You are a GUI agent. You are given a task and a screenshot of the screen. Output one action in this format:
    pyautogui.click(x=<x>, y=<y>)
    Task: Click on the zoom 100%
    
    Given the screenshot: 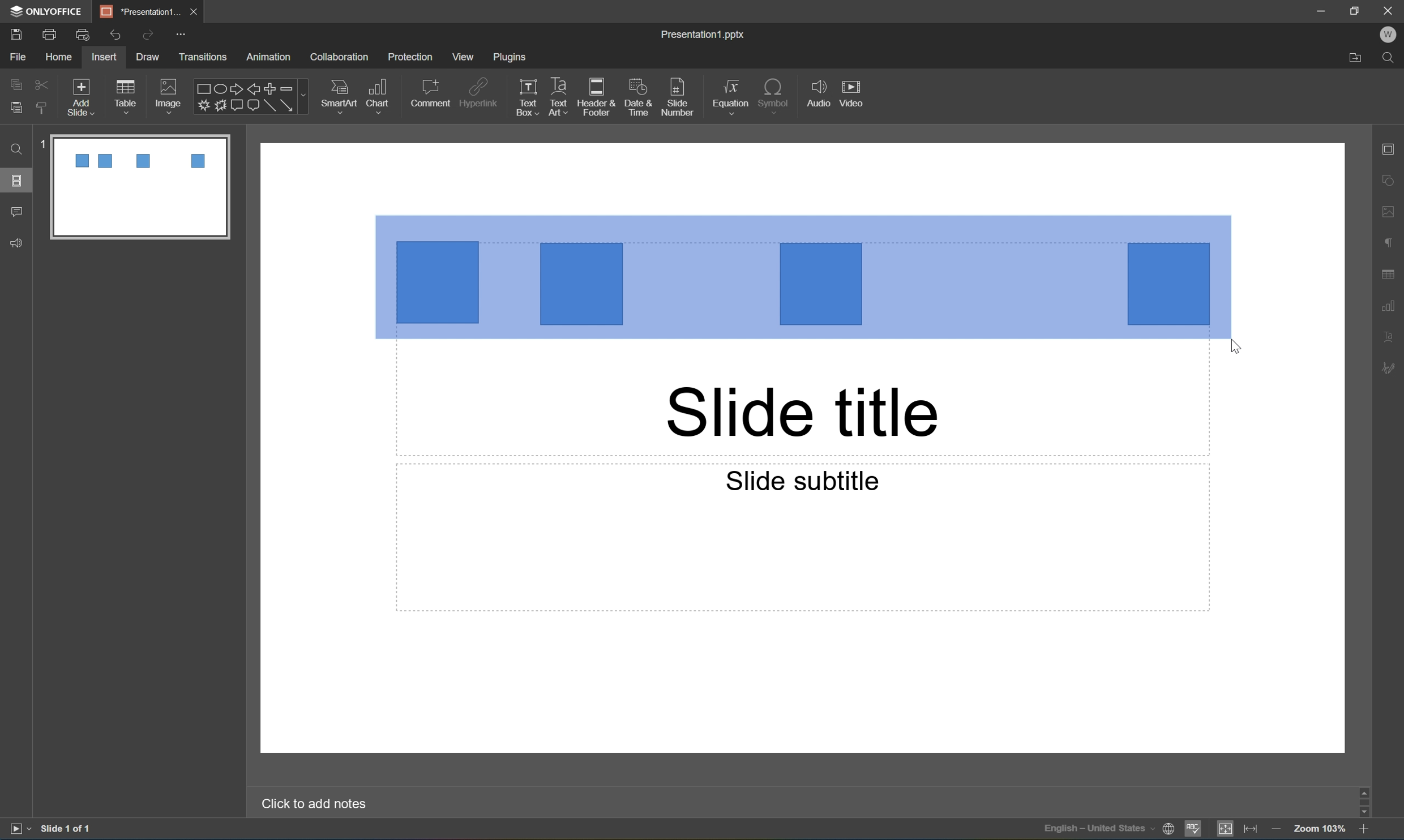 What is the action you would take?
    pyautogui.click(x=1321, y=830)
    